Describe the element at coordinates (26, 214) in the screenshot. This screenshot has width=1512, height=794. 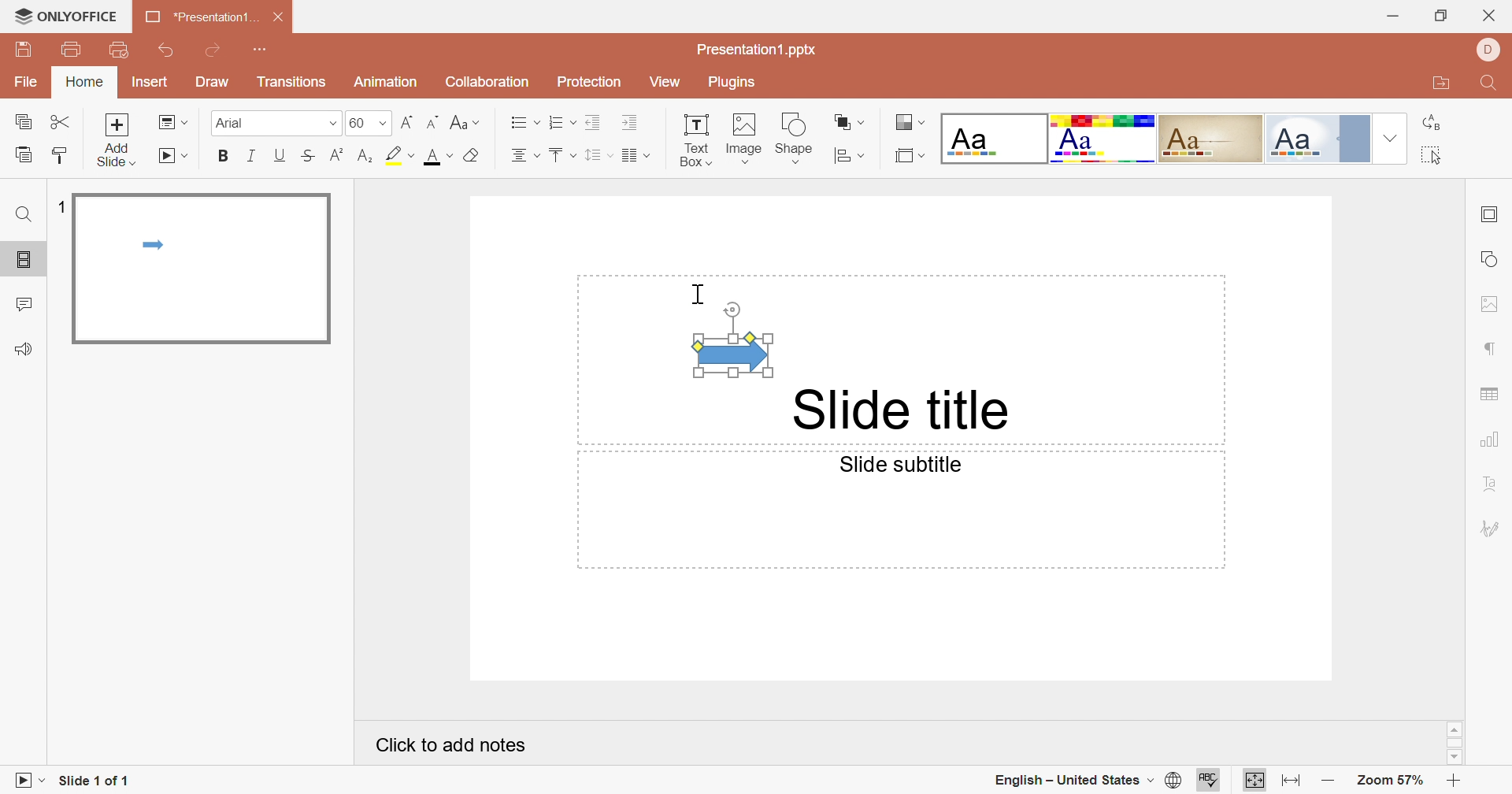
I see `Find` at that location.